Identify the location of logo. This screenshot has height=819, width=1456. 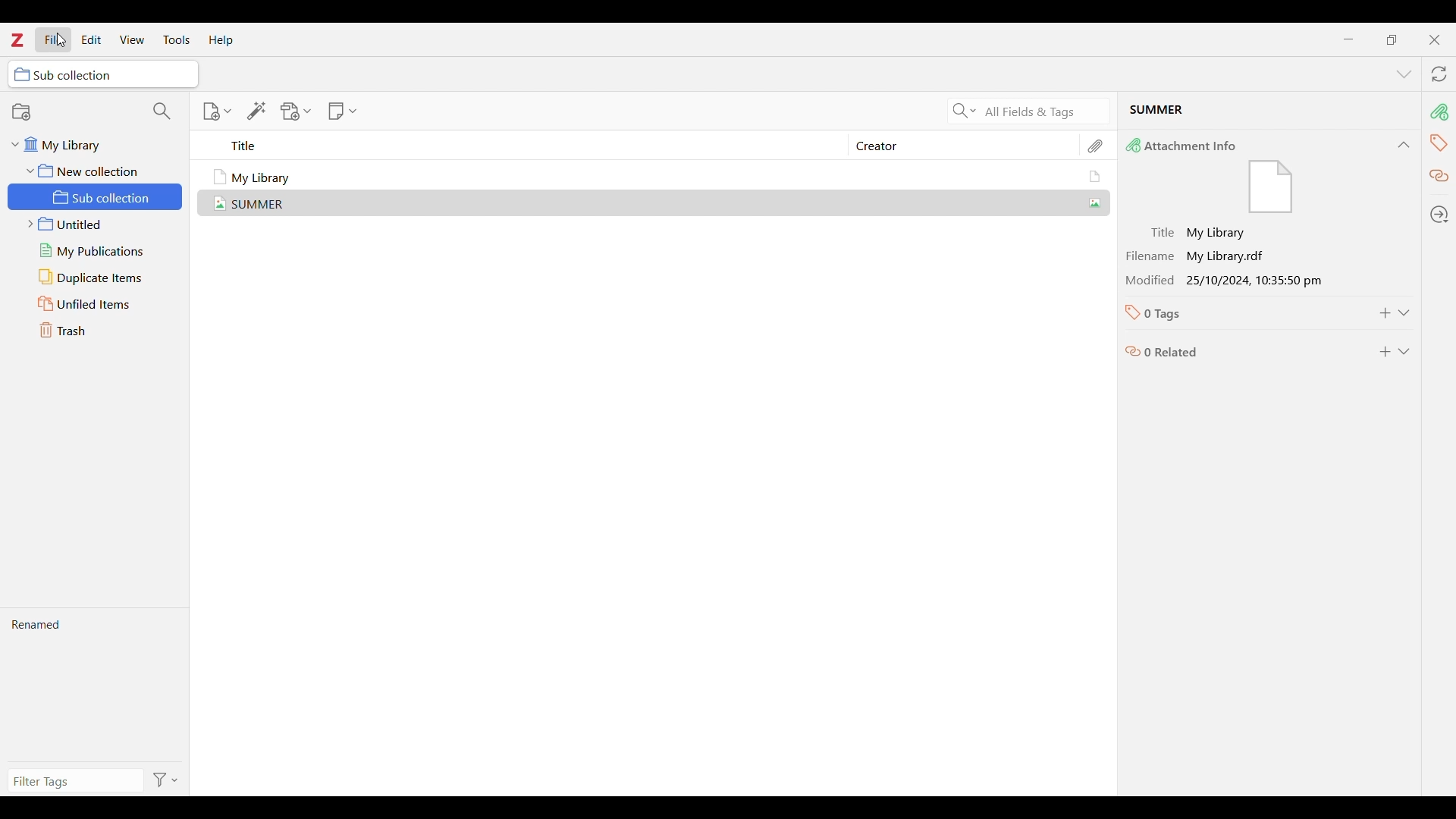
(17, 39).